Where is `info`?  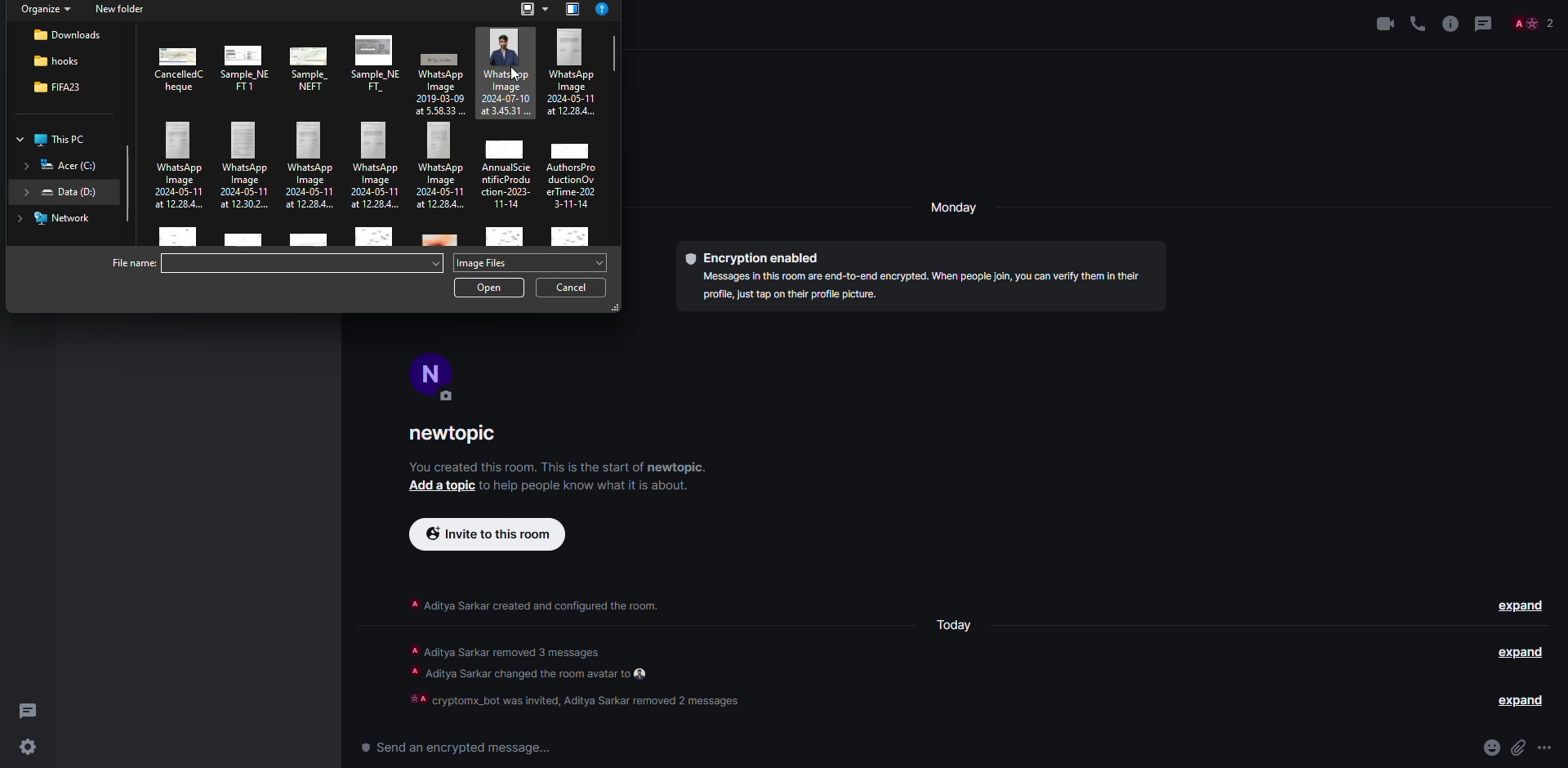
info is located at coordinates (588, 489).